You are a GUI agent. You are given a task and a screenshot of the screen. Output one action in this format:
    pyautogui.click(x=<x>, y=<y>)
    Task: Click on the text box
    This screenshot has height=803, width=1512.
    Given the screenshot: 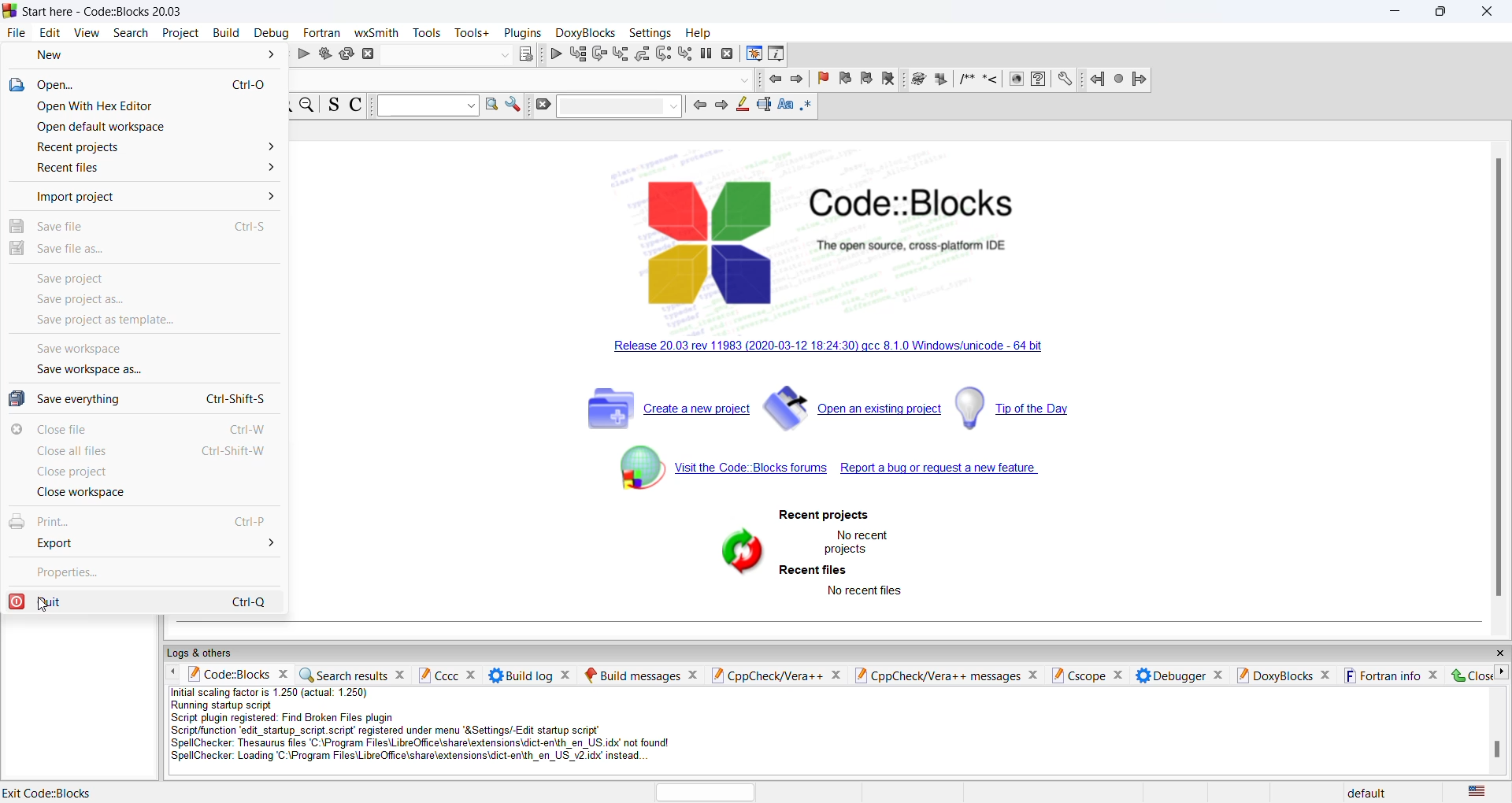 What is the action you would take?
    pyautogui.click(x=621, y=105)
    